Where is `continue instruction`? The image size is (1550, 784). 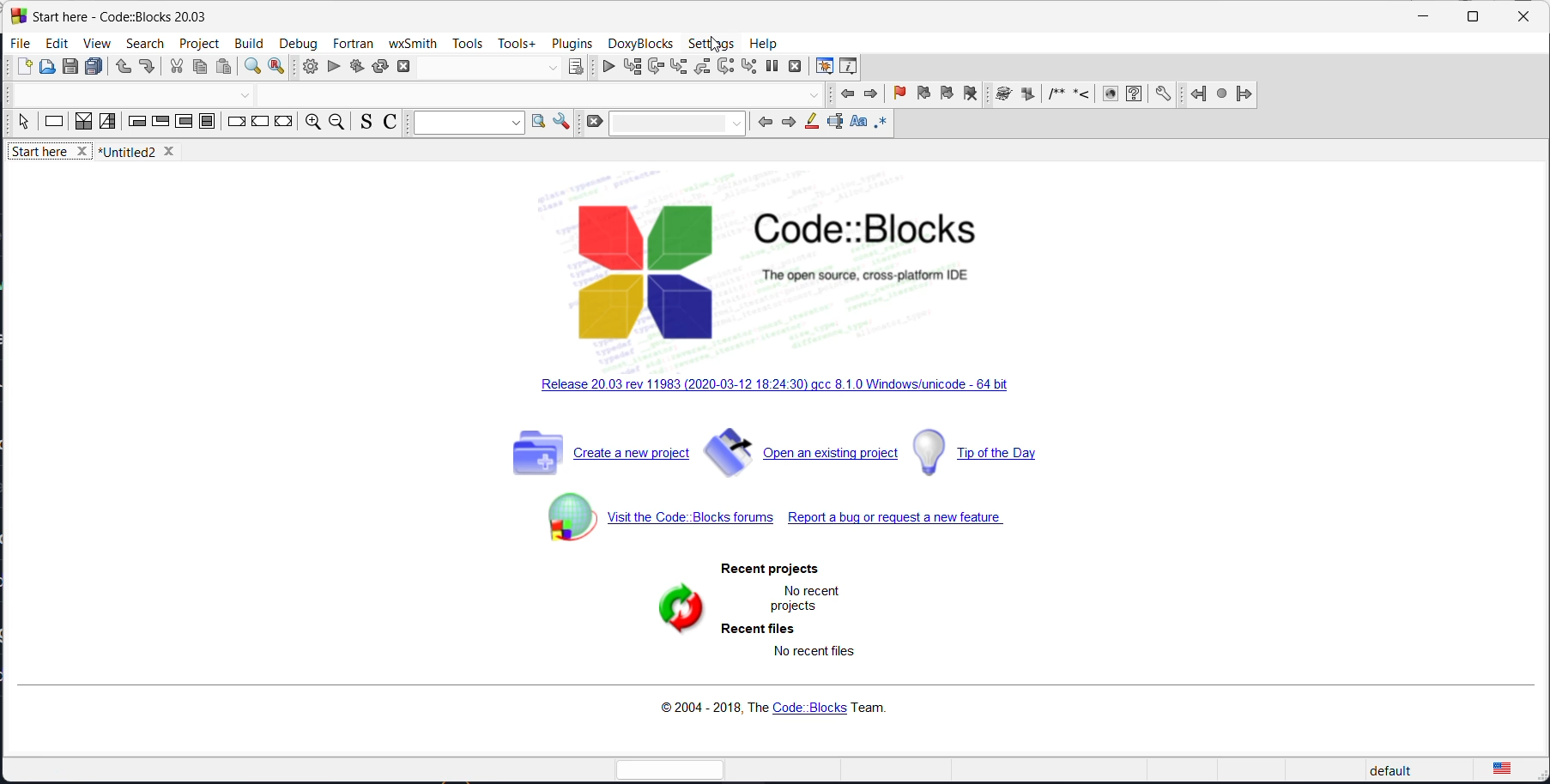 continue instruction is located at coordinates (260, 124).